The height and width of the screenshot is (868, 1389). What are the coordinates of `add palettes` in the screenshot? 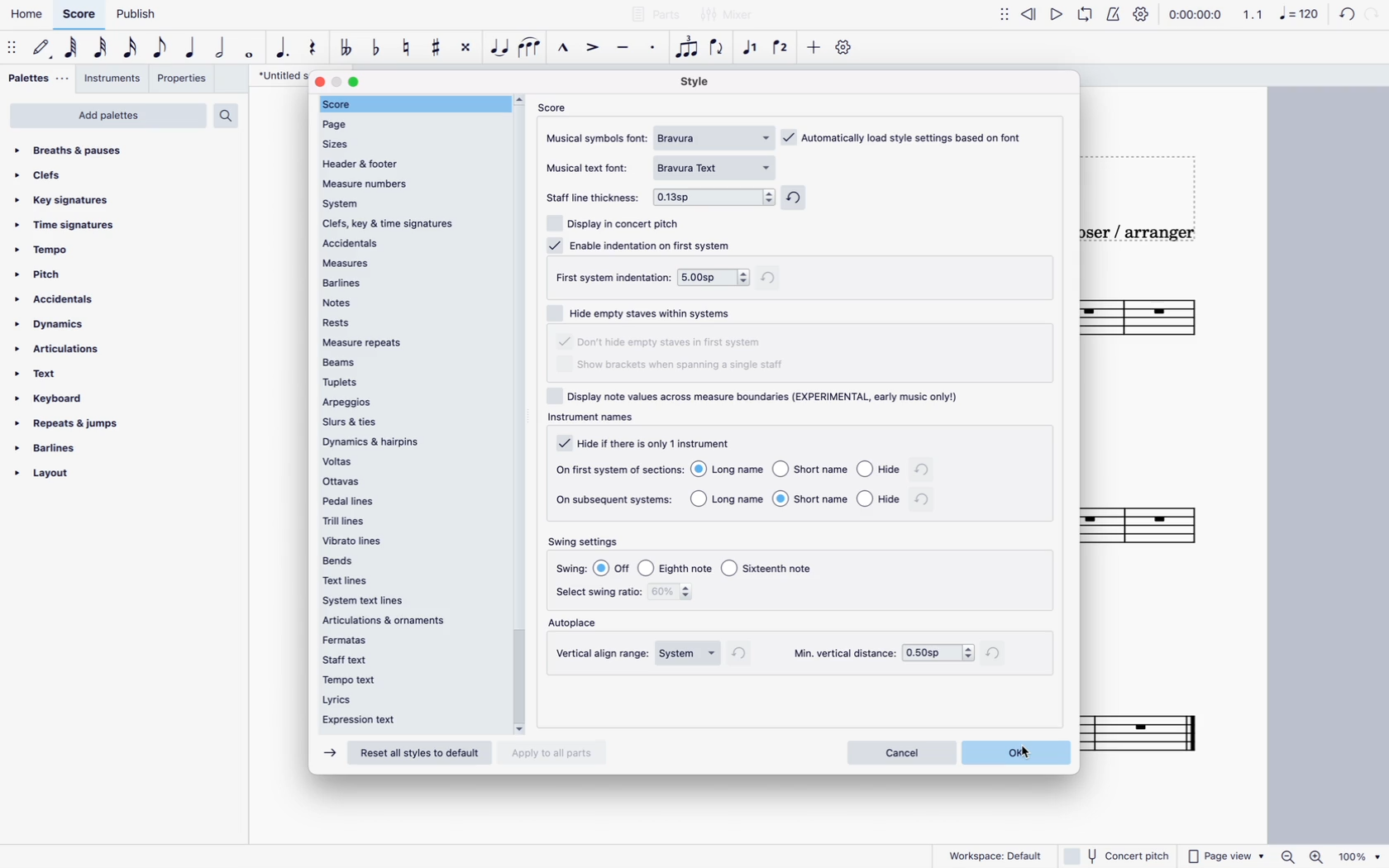 It's located at (107, 117).